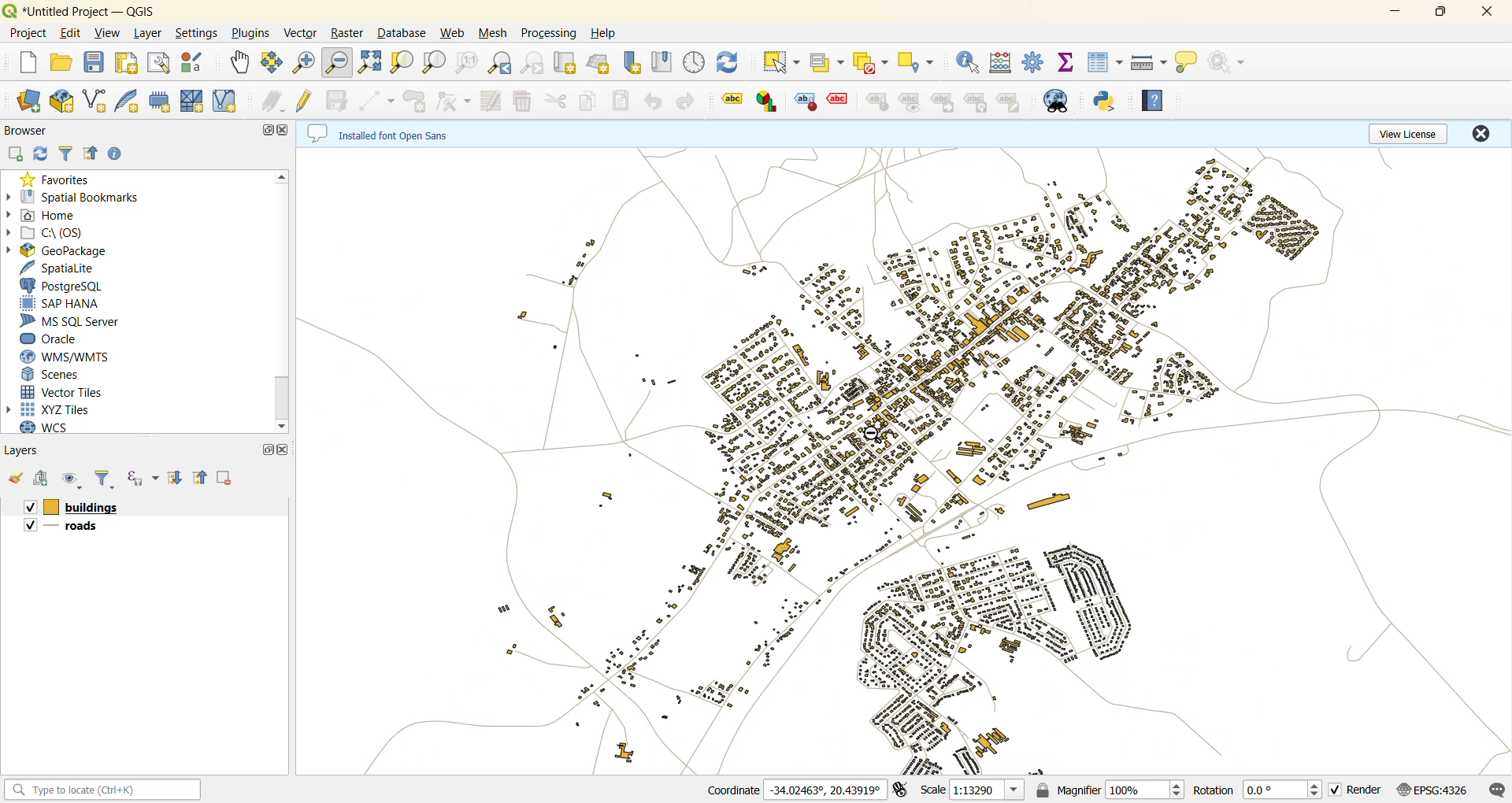  What do you see at coordinates (792, 790) in the screenshot?
I see `coordinates` at bounding box center [792, 790].